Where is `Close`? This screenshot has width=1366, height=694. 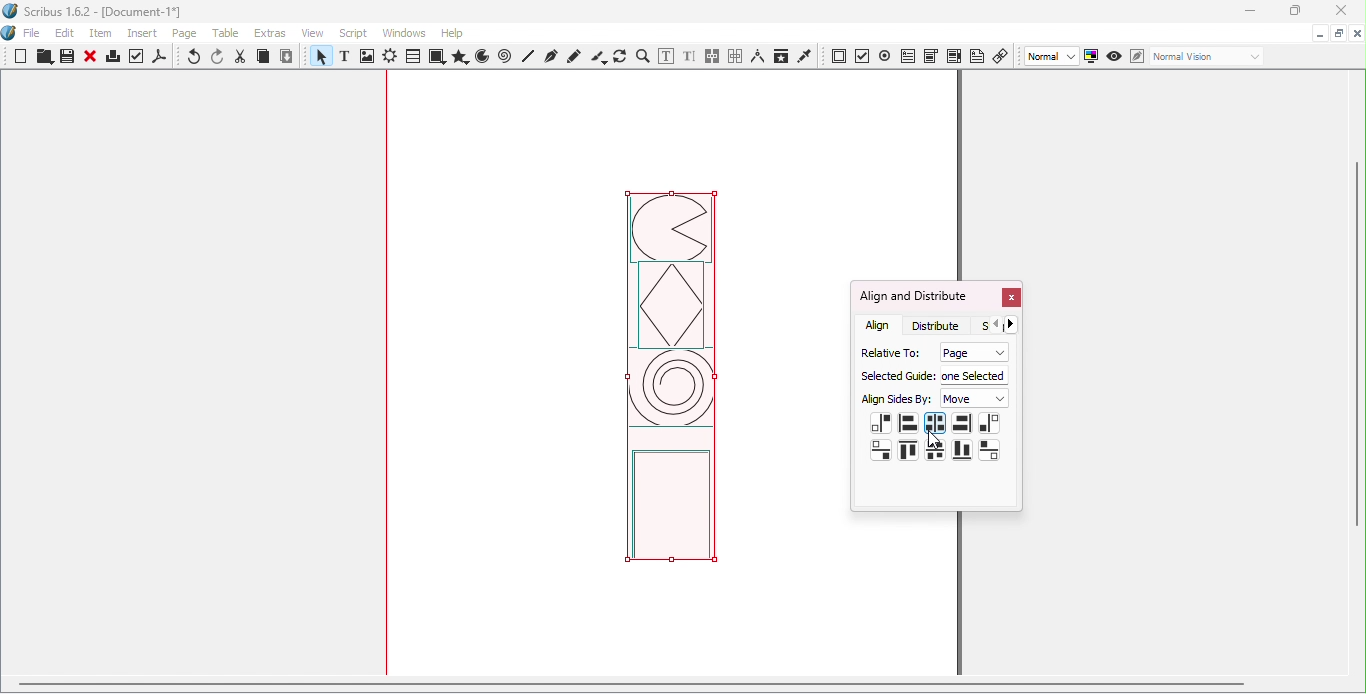
Close is located at coordinates (90, 58).